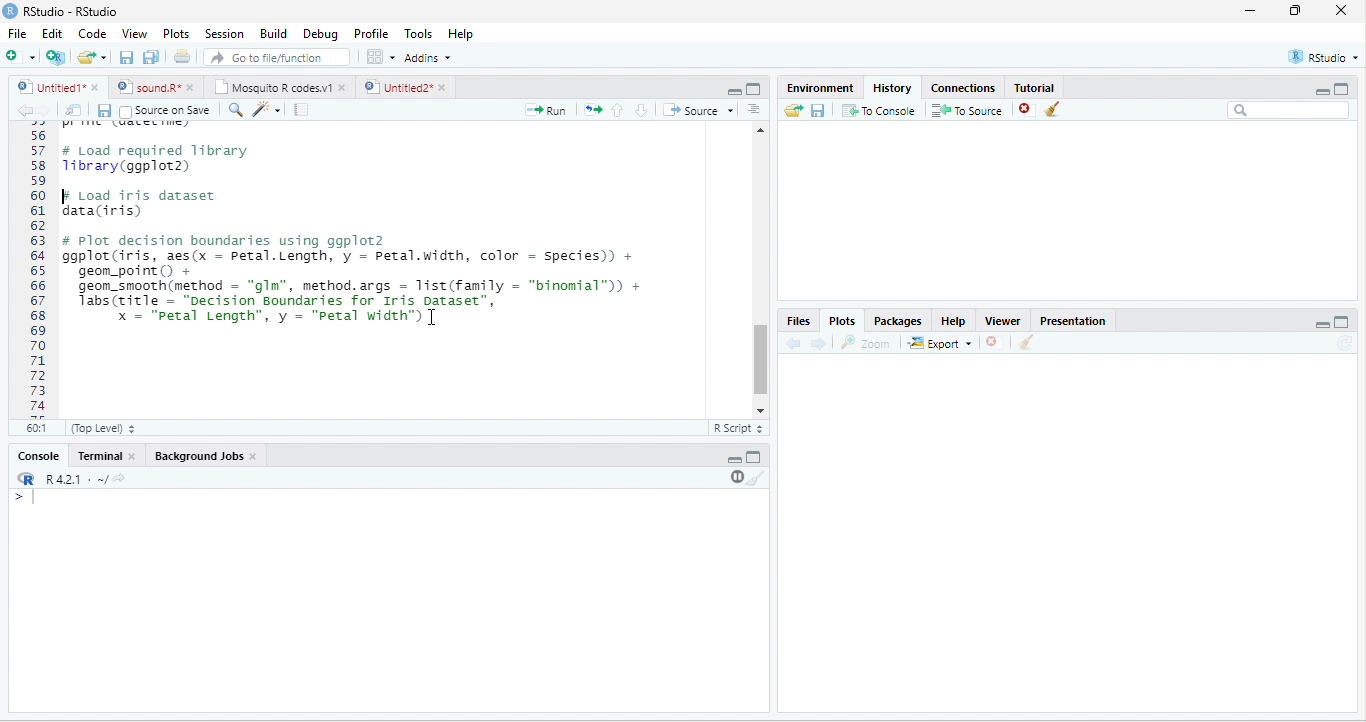  I want to click on close, so click(192, 88).